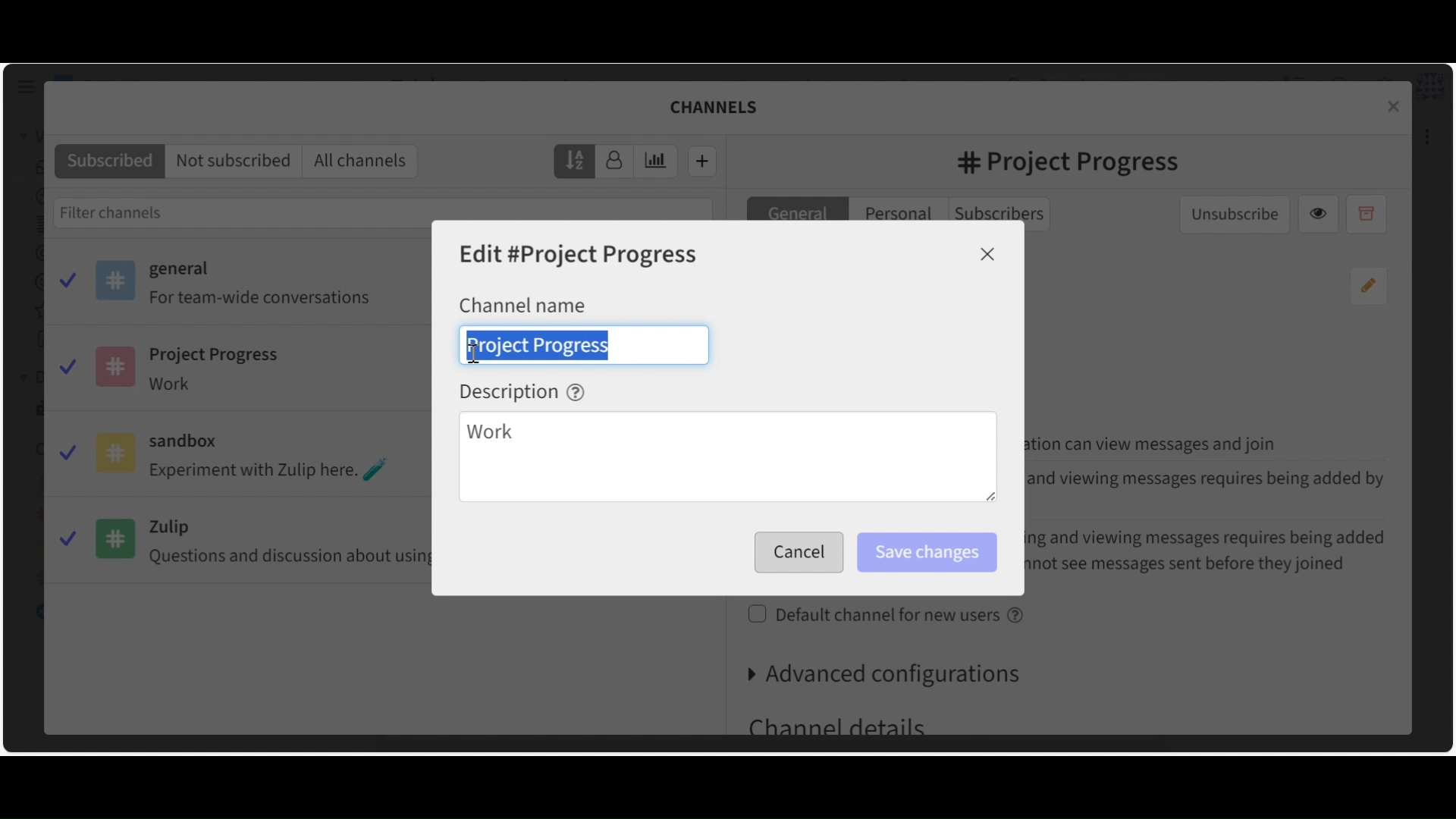 The width and height of the screenshot is (1456, 819). Describe the element at coordinates (988, 254) in the screenshot. I see `Close` at that location.